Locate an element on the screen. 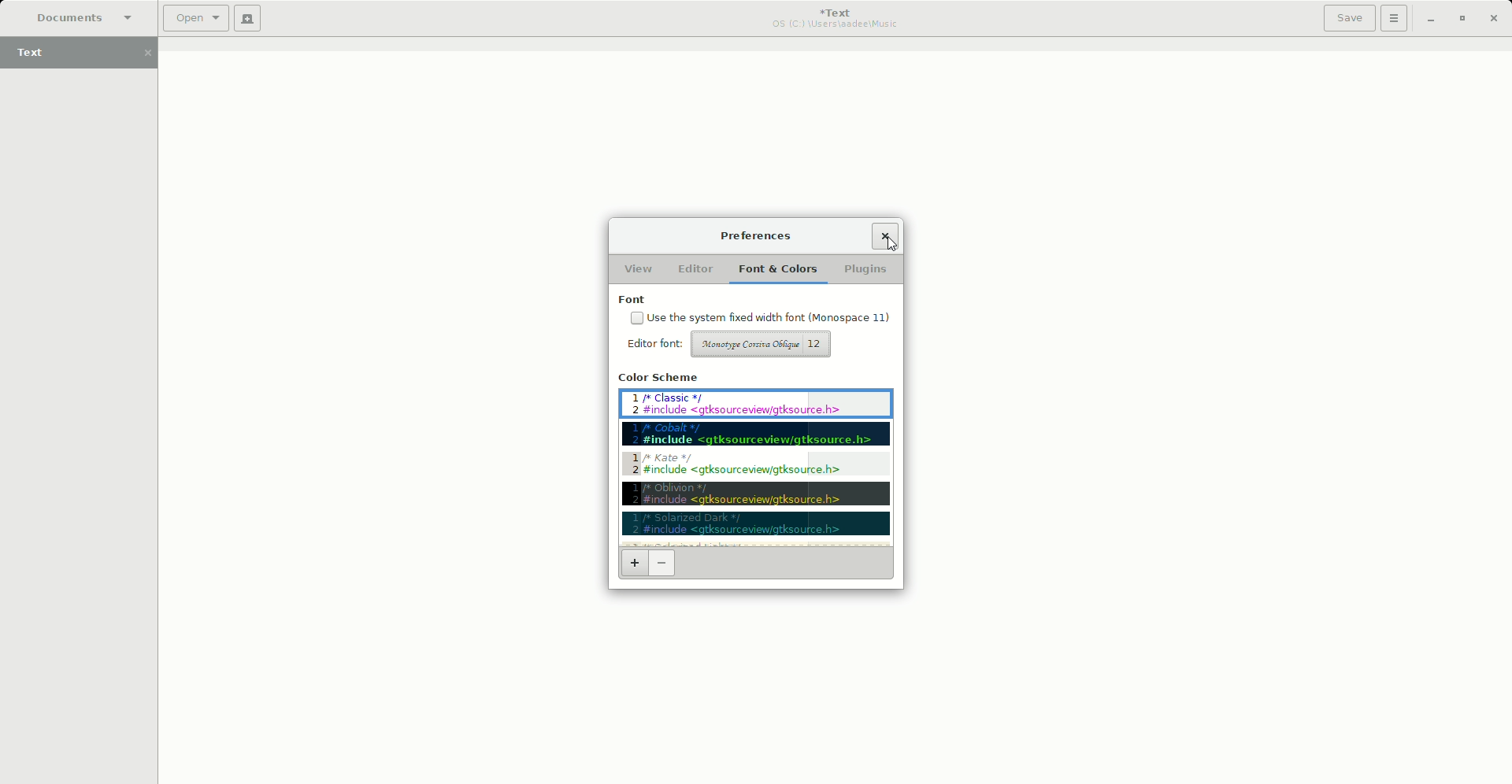 The image size is (1512, 784). Plugins is located at coordinates (864, 268).